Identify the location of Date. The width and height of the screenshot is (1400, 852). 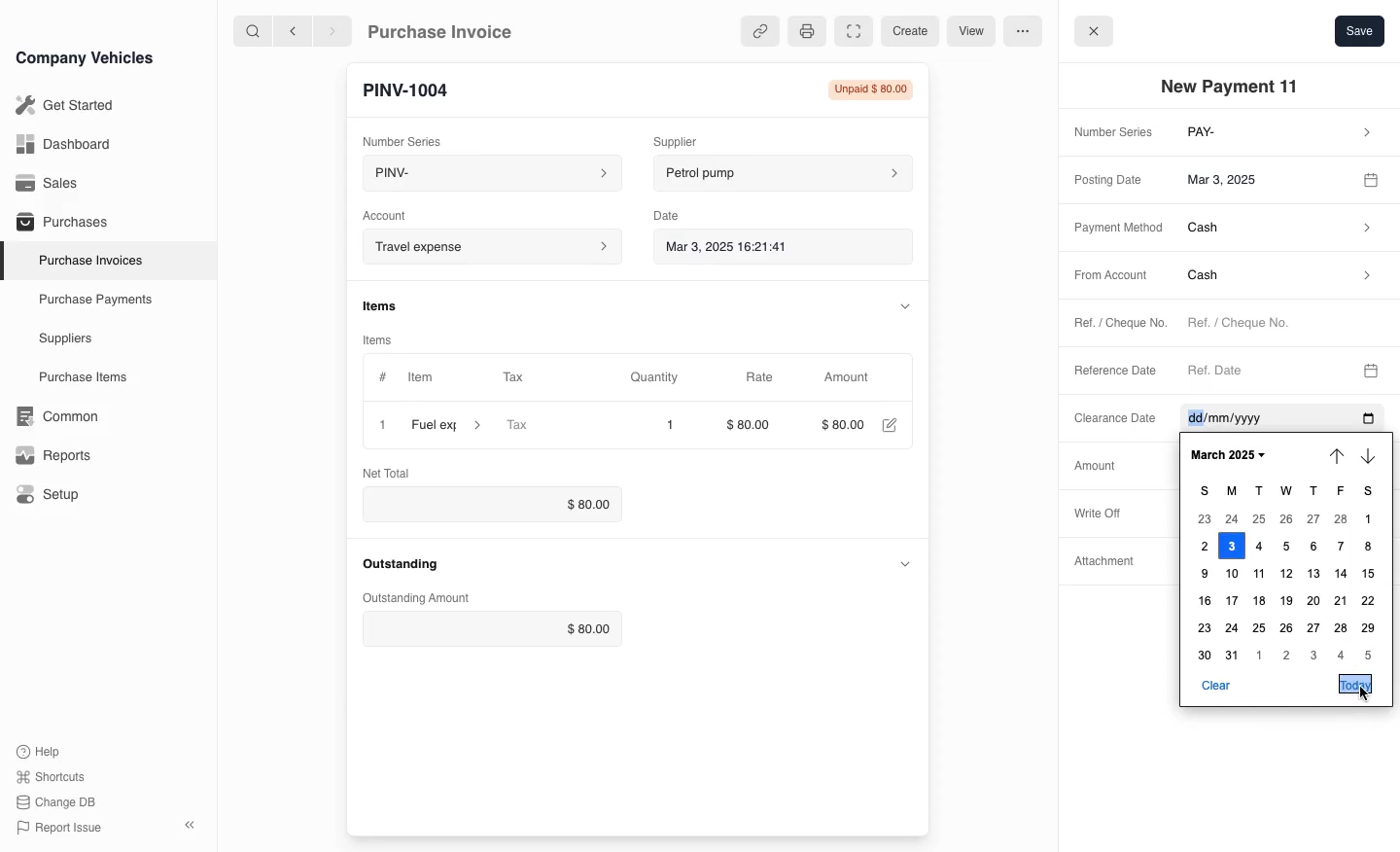
(676, 212).